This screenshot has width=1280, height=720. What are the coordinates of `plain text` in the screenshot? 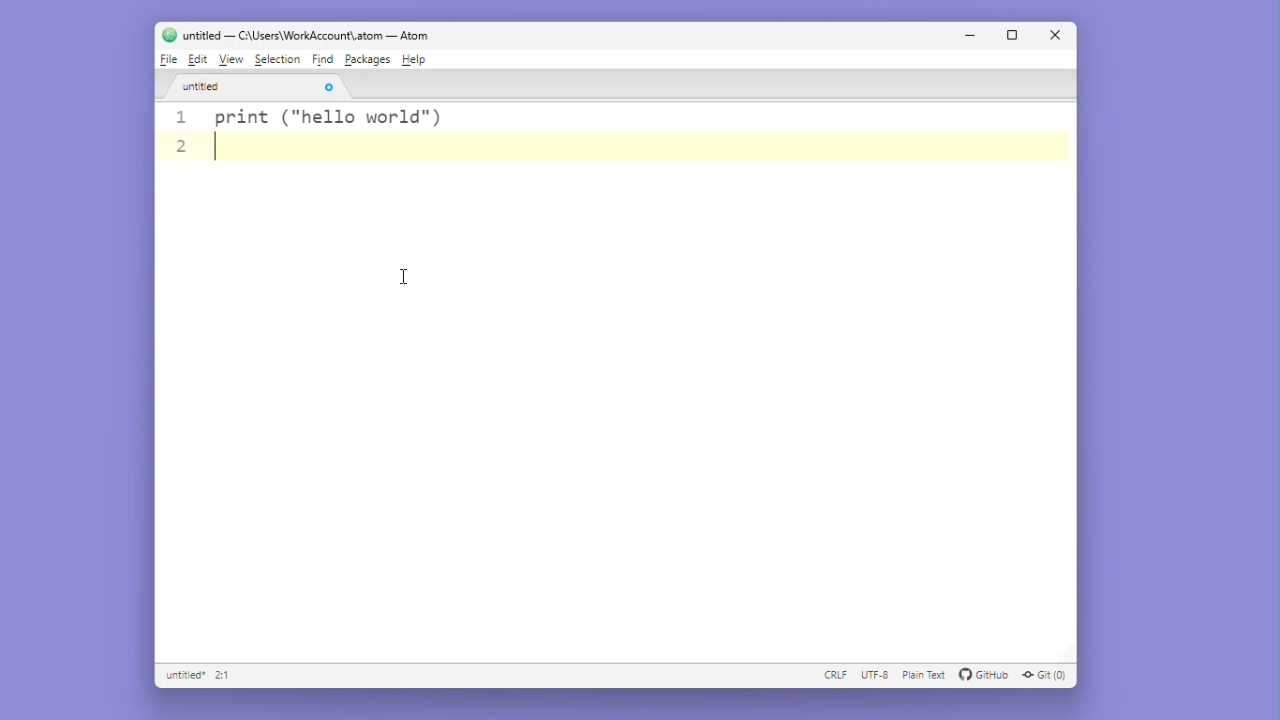 It's located at (925, 676).